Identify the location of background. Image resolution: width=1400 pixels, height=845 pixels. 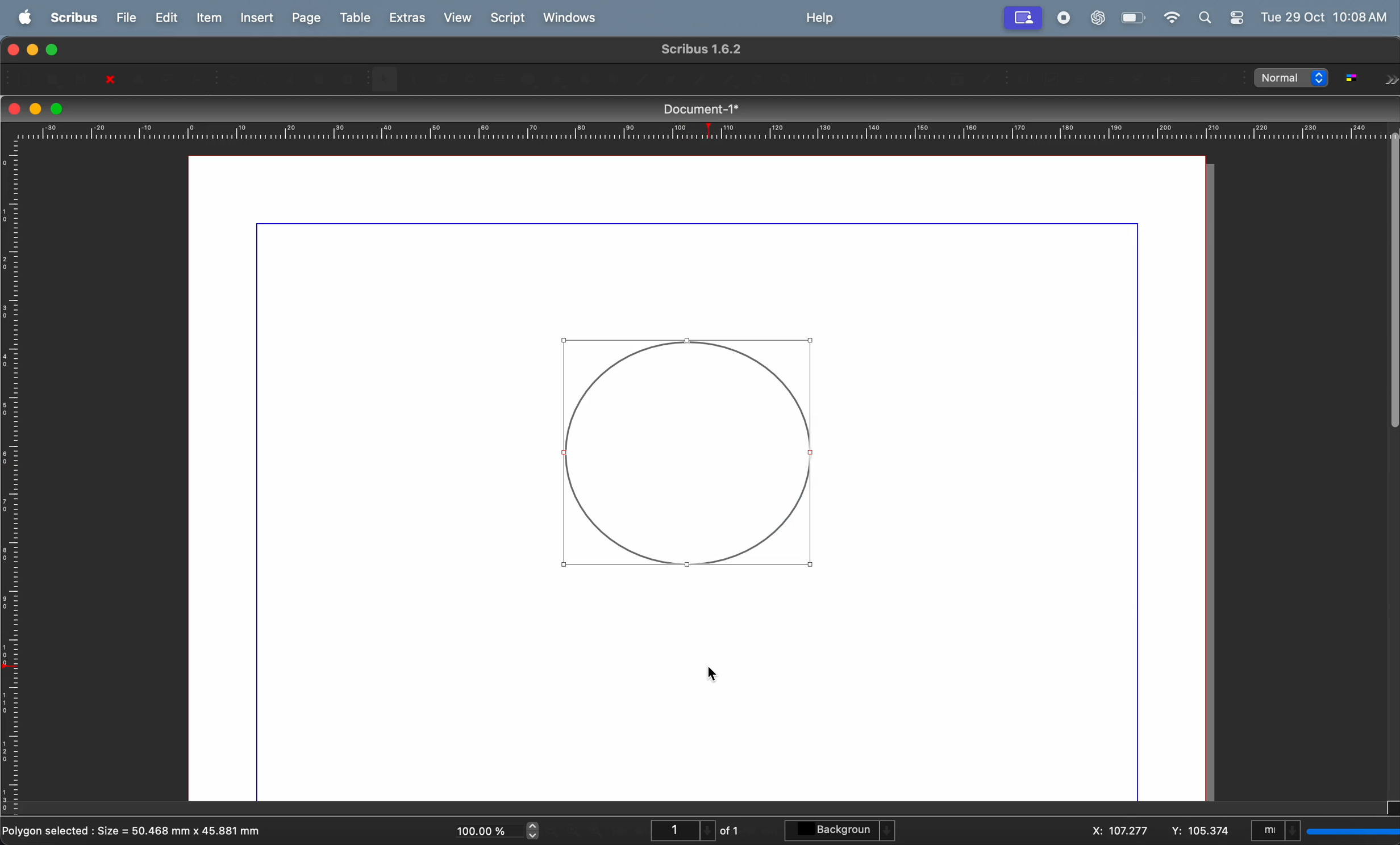
(840, 829).